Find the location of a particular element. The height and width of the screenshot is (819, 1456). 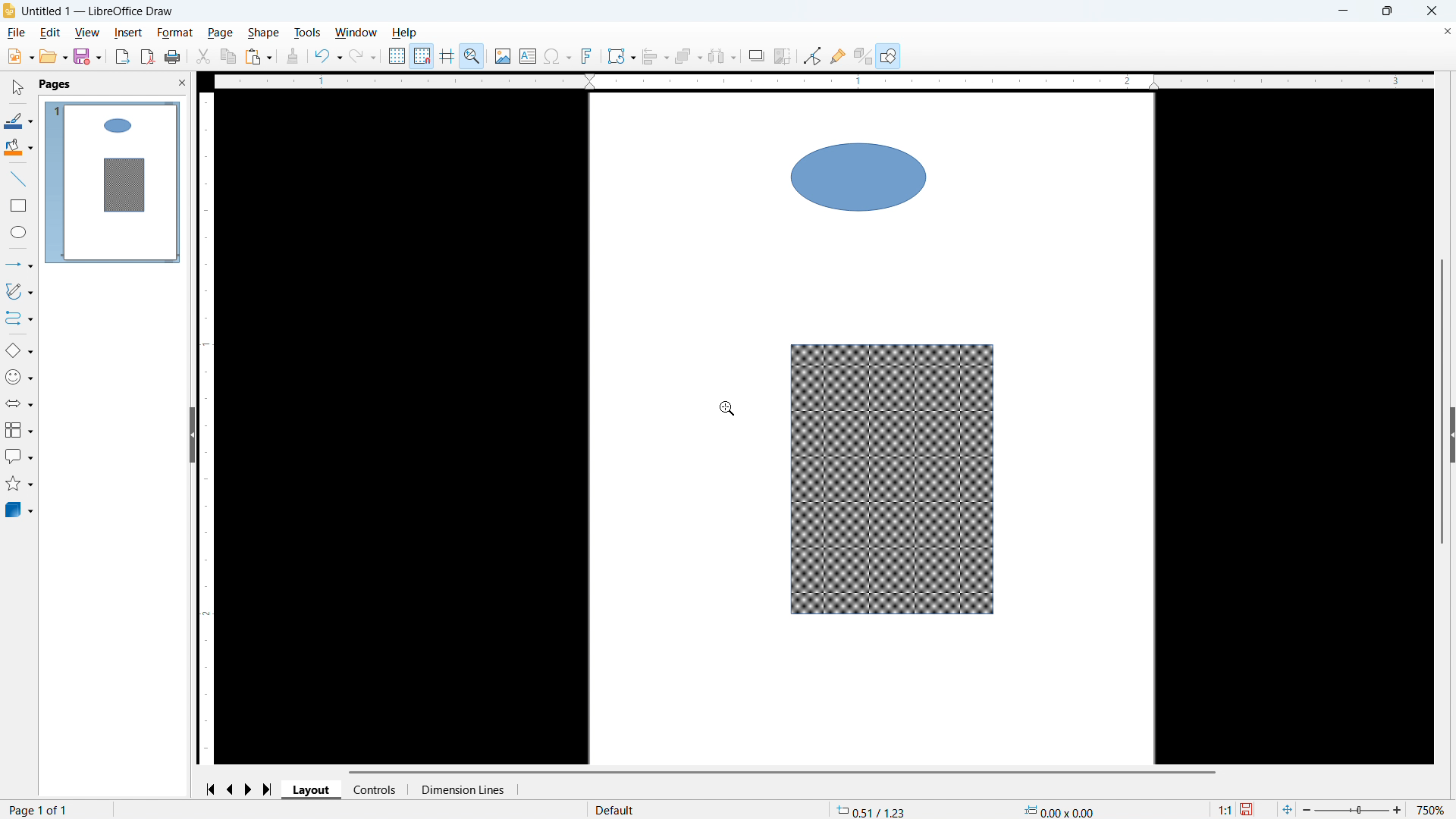

Transformations  is located at coordinates (621, 57).